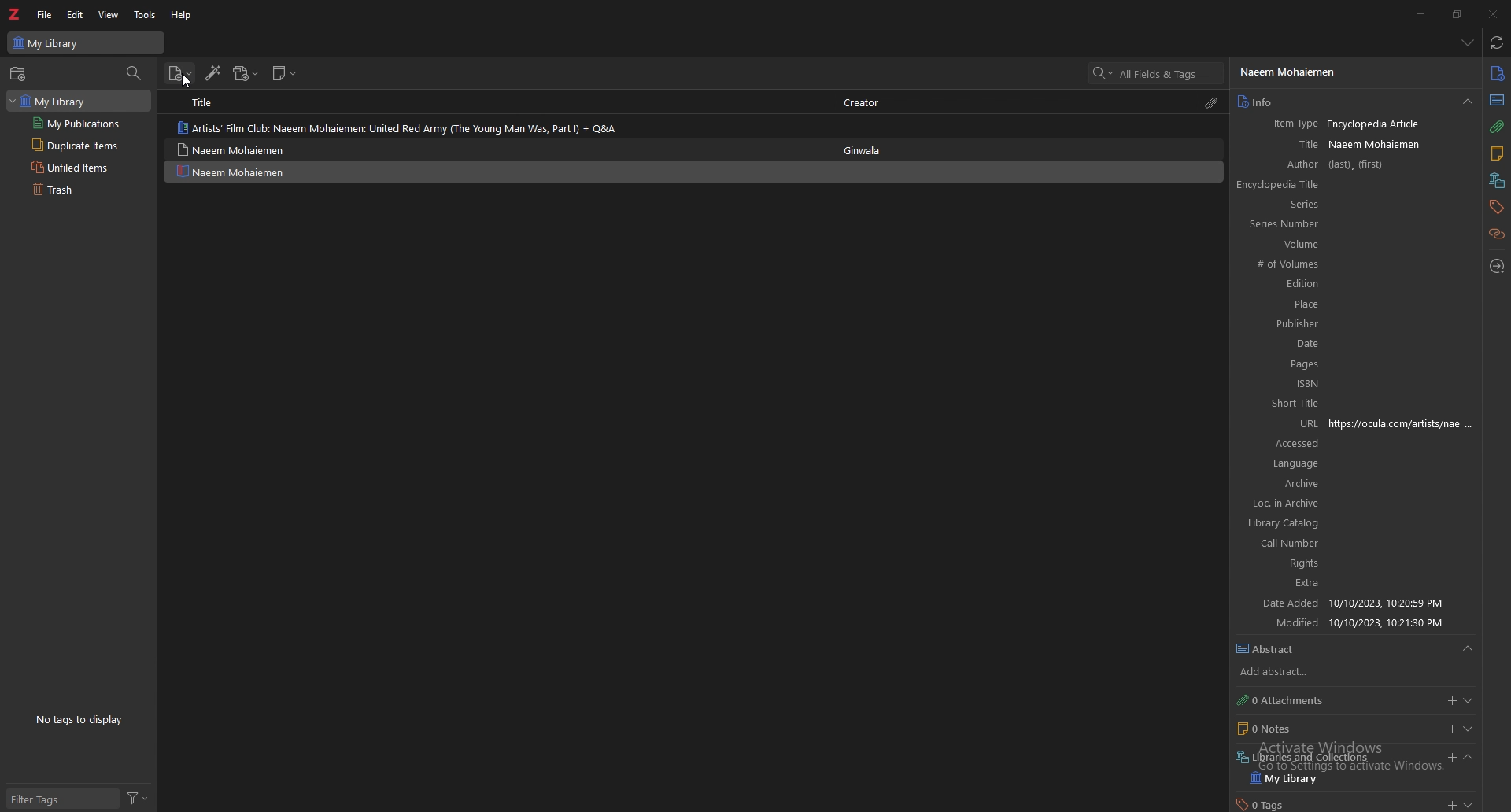 This screenshot has height=812, width=1511. What do you see at coordinates (496, 150) in the screenshot?
I see `item` at bounding box center [496, 150].